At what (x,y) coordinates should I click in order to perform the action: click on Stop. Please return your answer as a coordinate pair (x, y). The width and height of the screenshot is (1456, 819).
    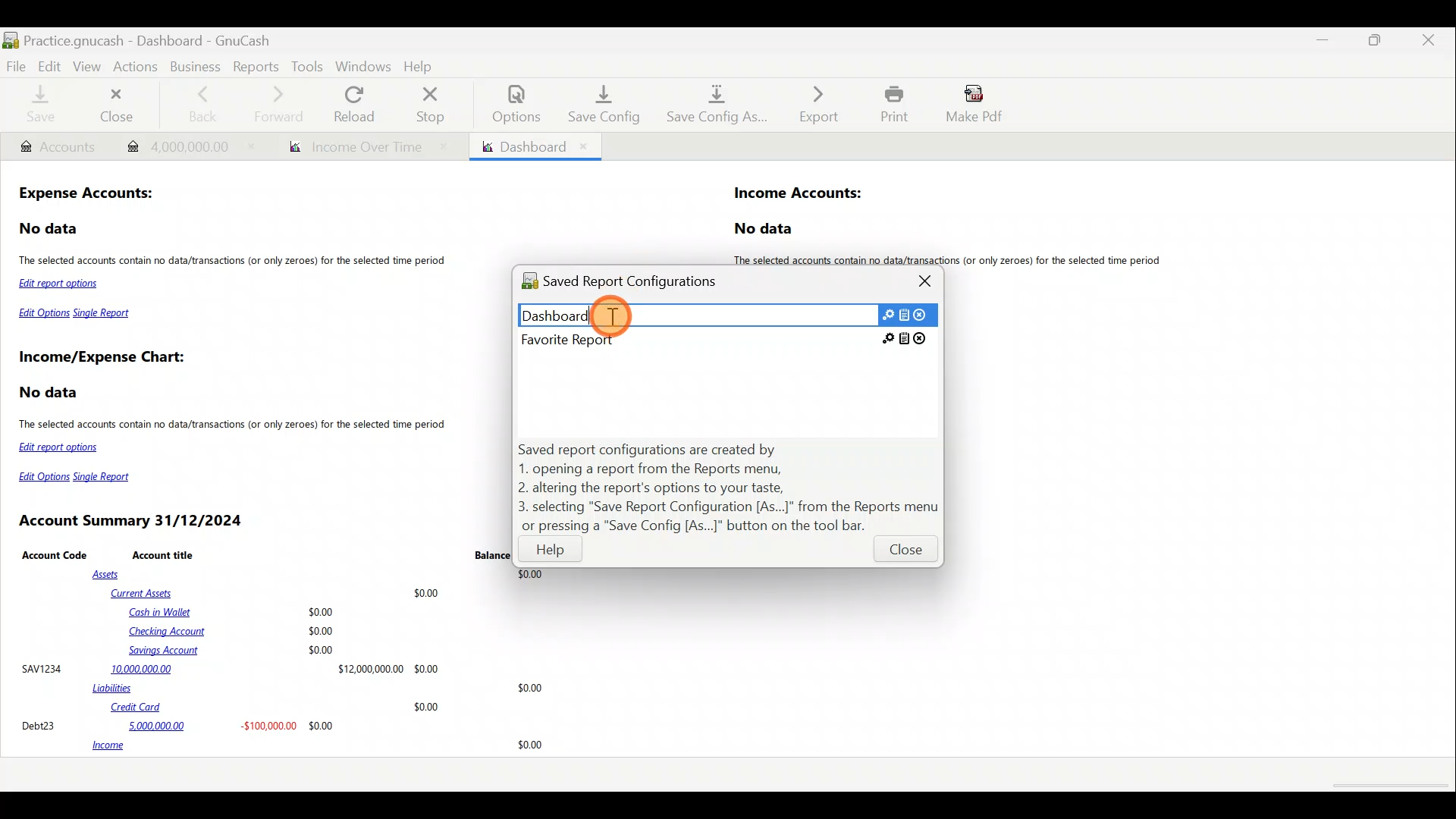
    Looking at the image, I should click on (435, 104).